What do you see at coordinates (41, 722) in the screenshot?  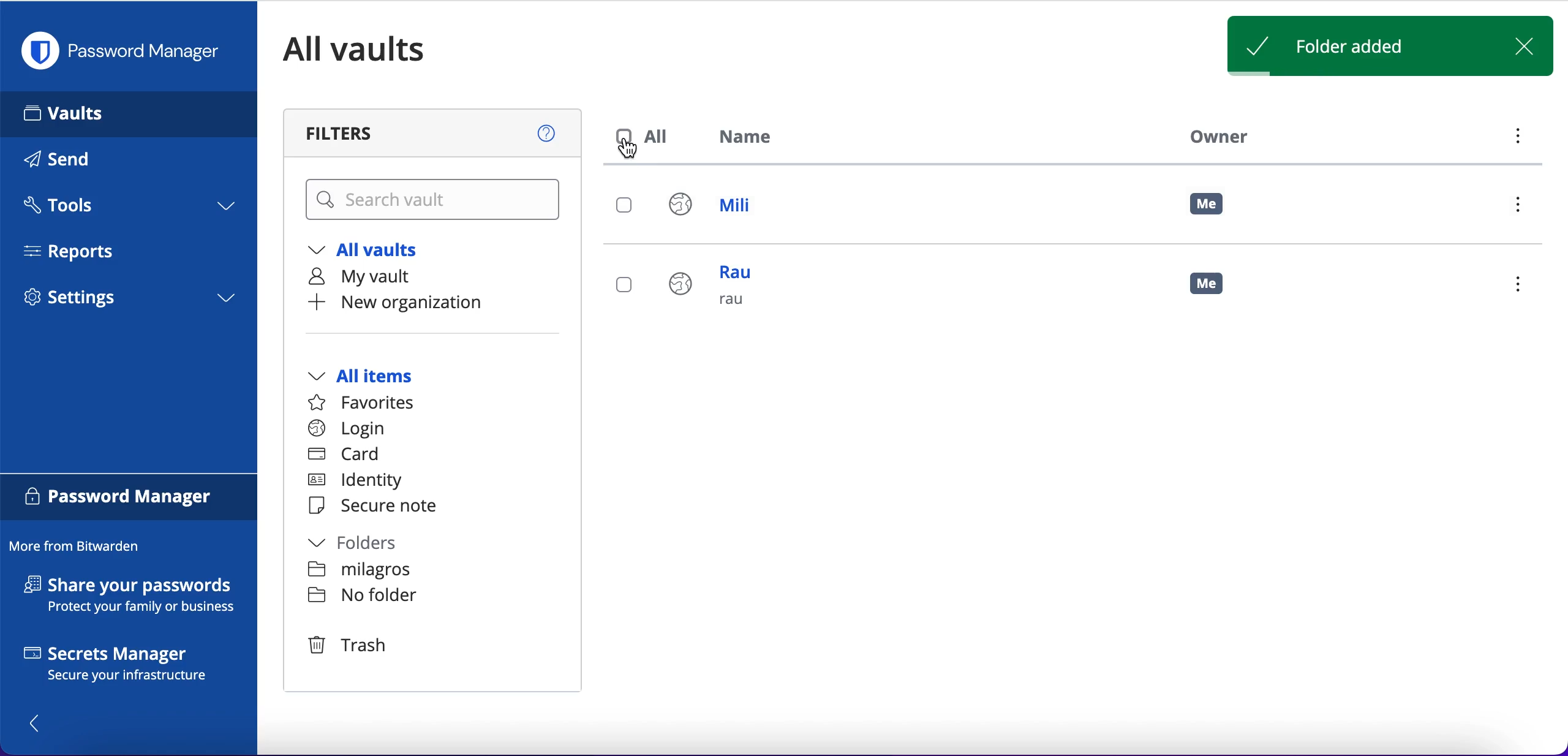 I see `show/hide panel` at bounding box center [41, 722].